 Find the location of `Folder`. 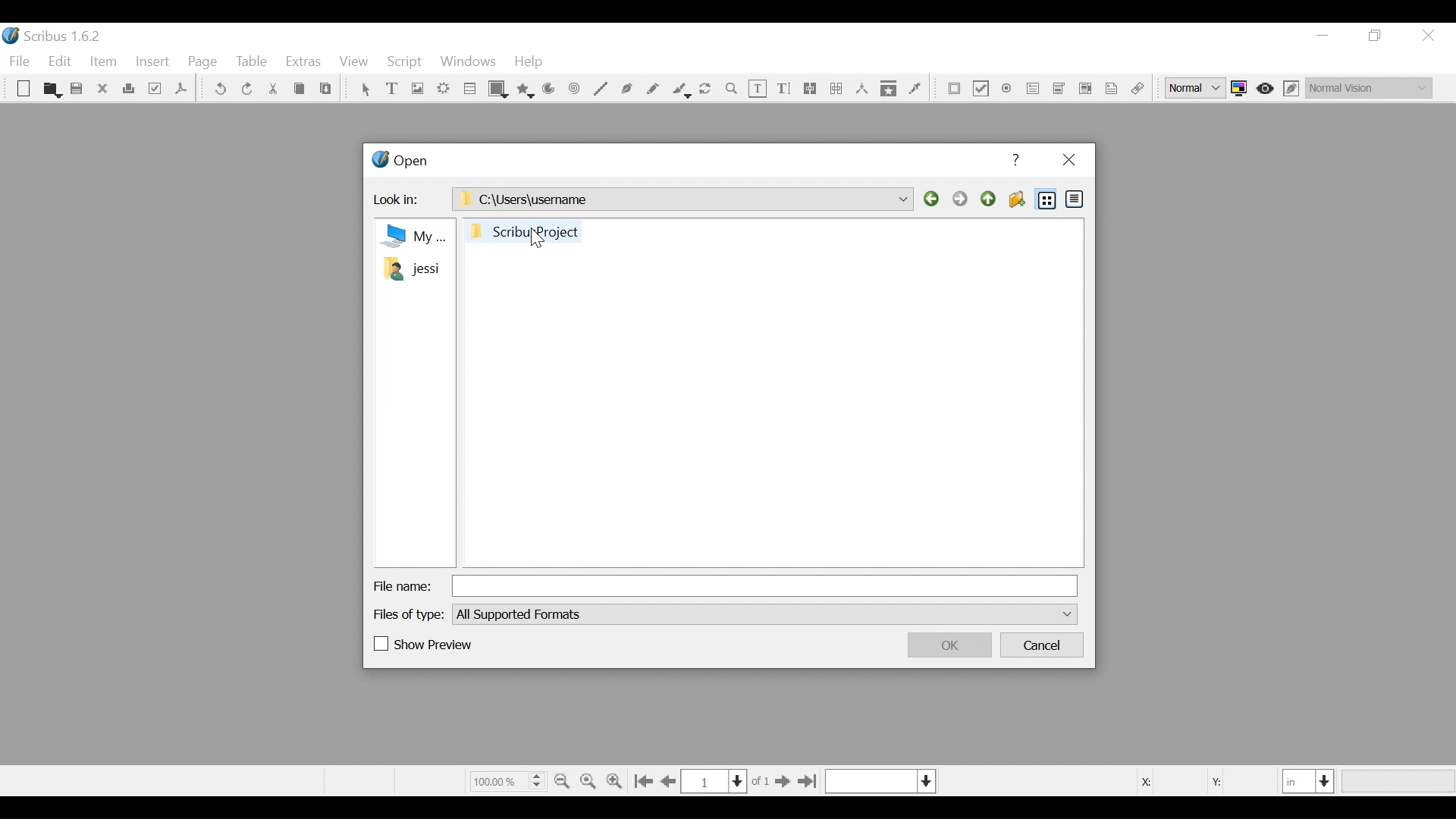

Folder is located at coordinates (522, 233).